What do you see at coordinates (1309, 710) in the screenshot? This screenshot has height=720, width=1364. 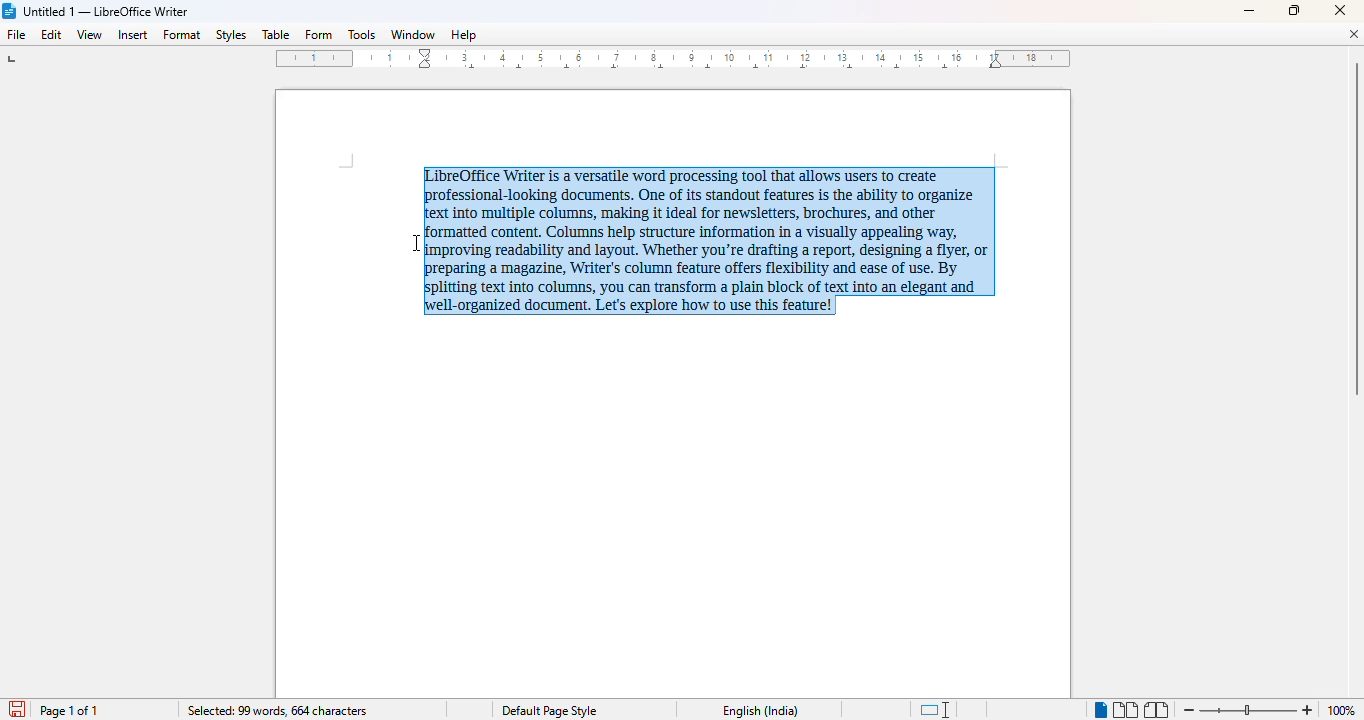 I see `zoom in` at bounding box center [1309, 710].